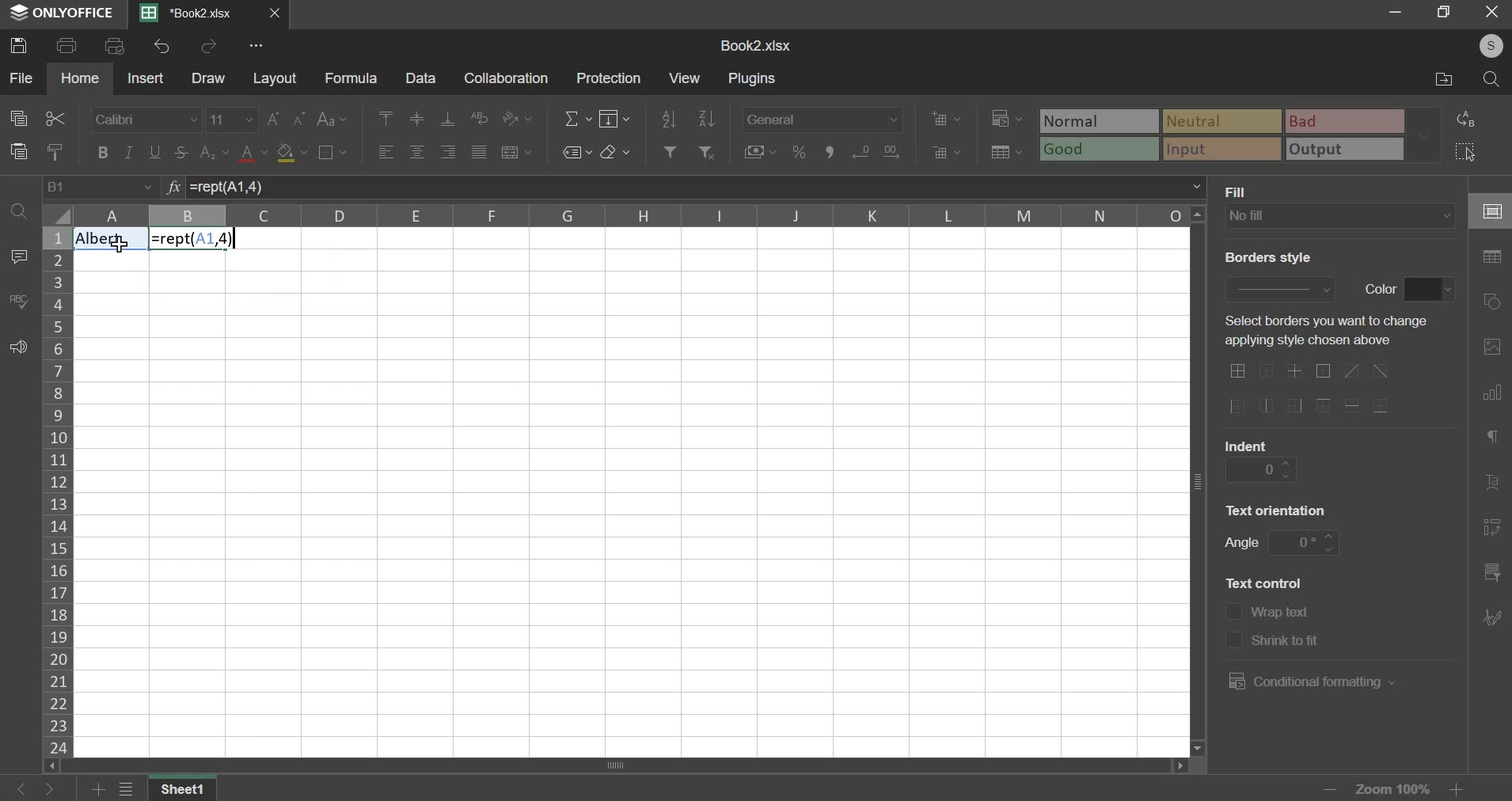  Describe the element at coordinates (193, 14) in the screenshot. I see `current sheet` at that location.